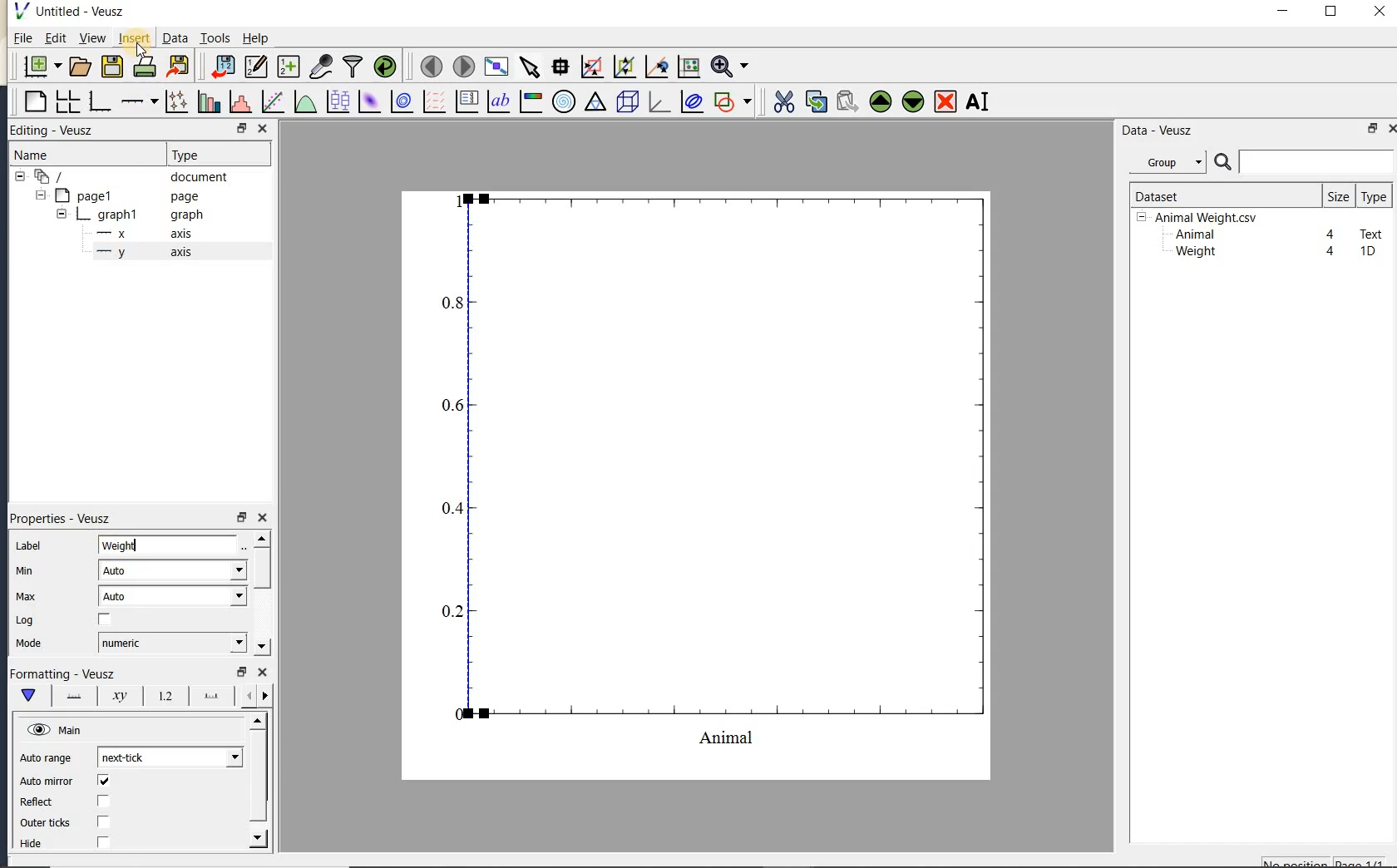 The width and height of the screenshot is (1397, 868). I want to click on ternary graph, so click(595, 104).